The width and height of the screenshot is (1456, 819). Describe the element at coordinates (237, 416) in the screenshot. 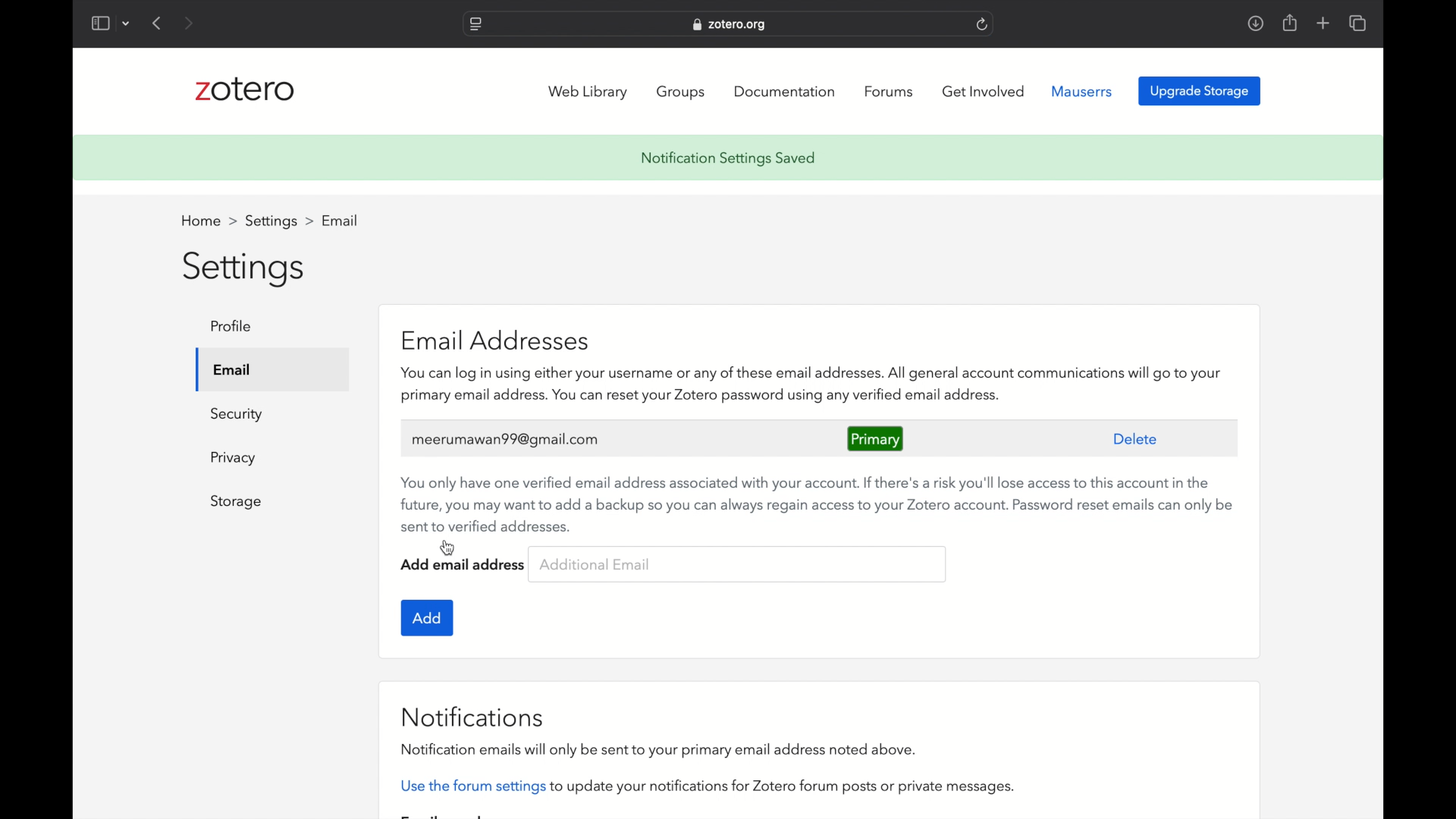

I see `security` at that location.